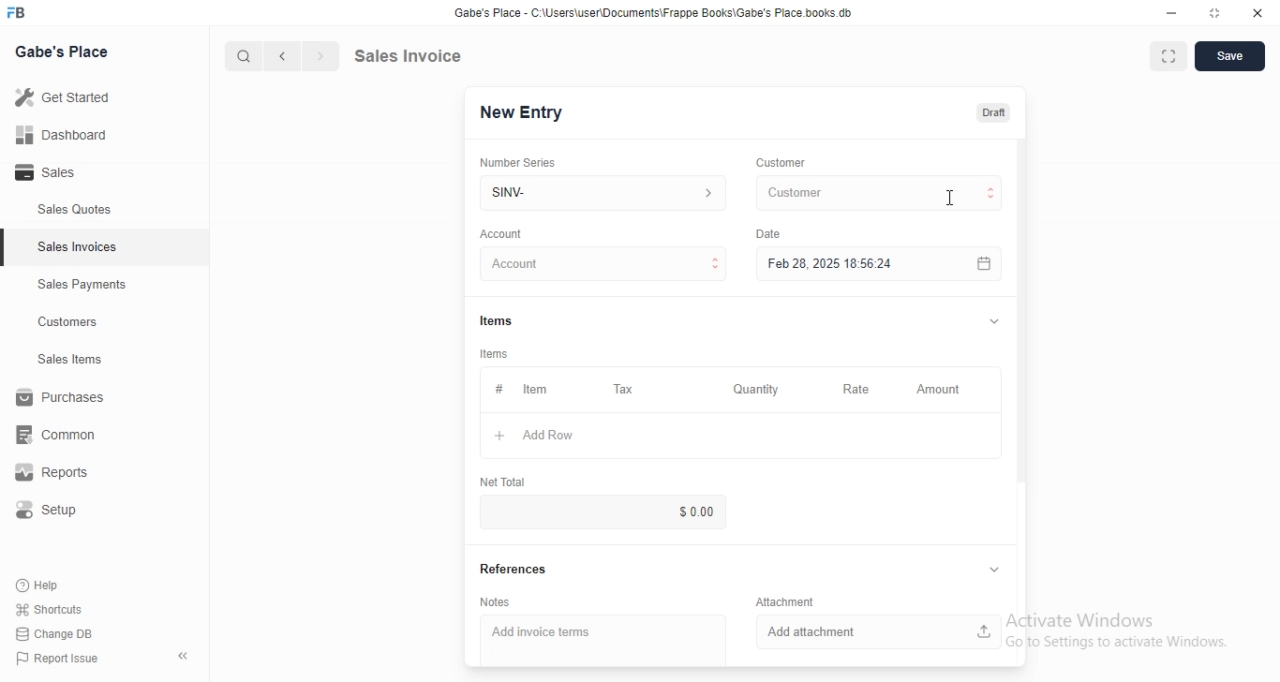 This screenshot has width=1280, height=682. I want to click on tem, so click(541, 389).